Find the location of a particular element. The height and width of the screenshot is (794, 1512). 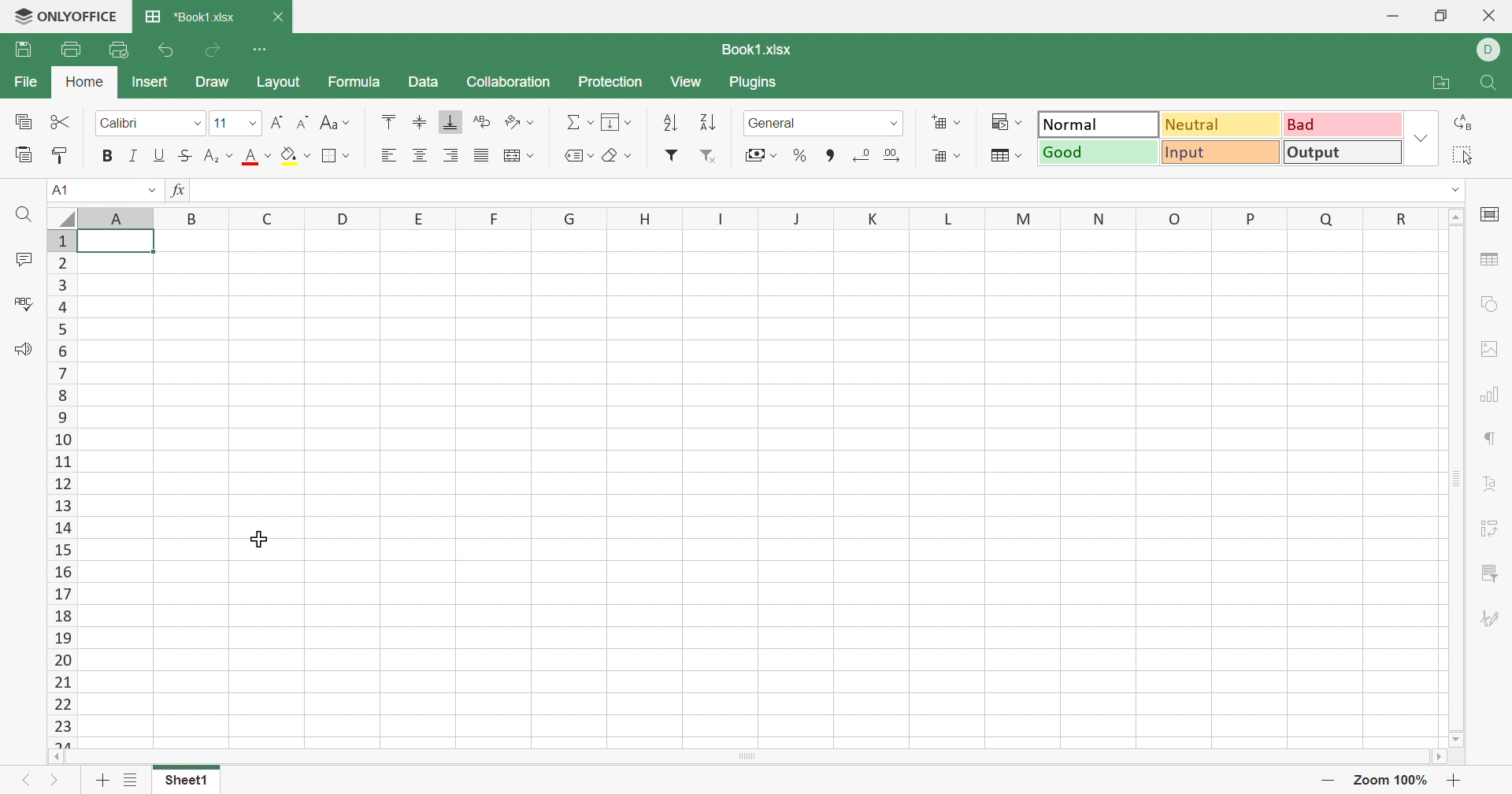

Normal is located at coordinates (1099, 124).